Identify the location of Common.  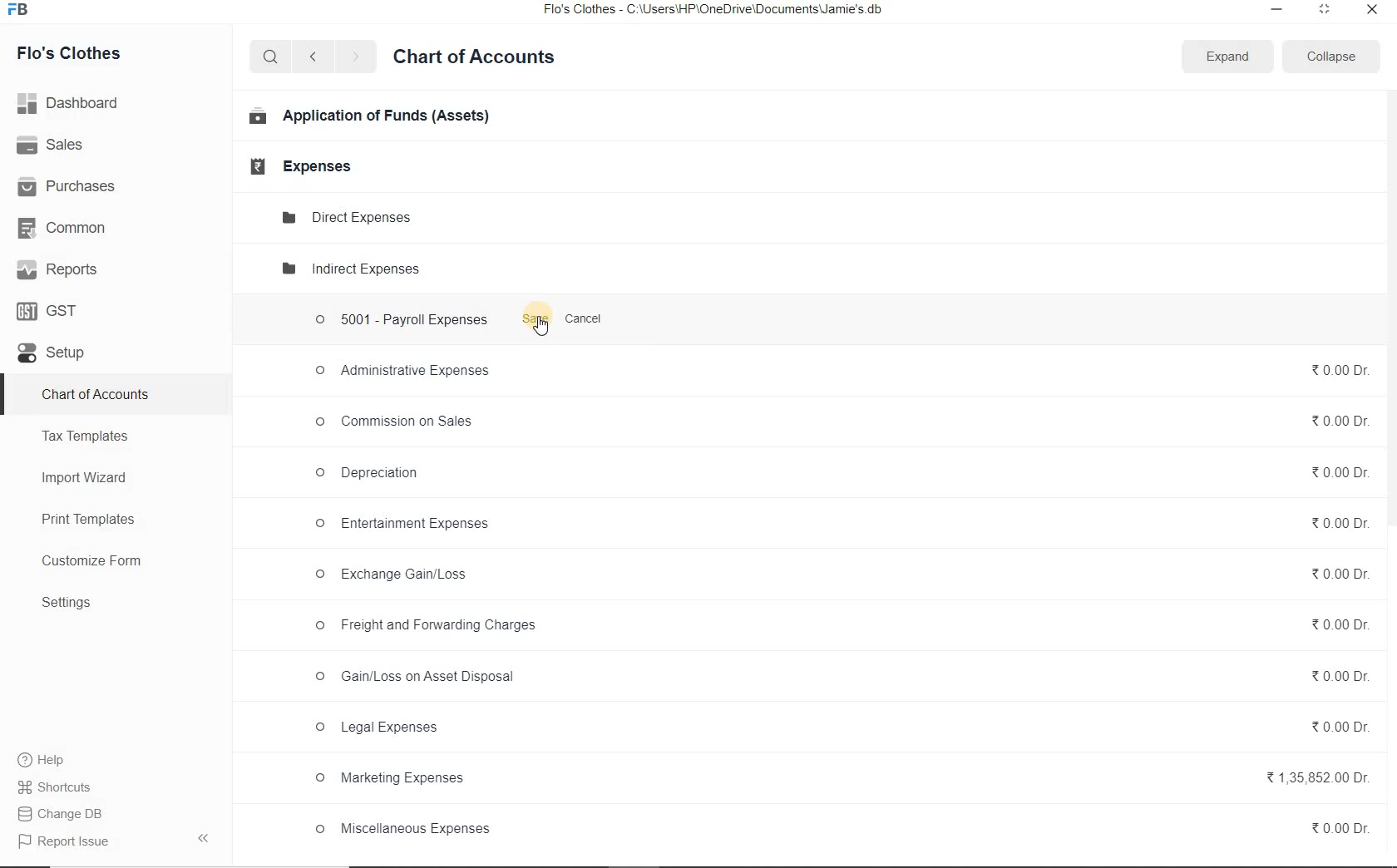
(67, 227).